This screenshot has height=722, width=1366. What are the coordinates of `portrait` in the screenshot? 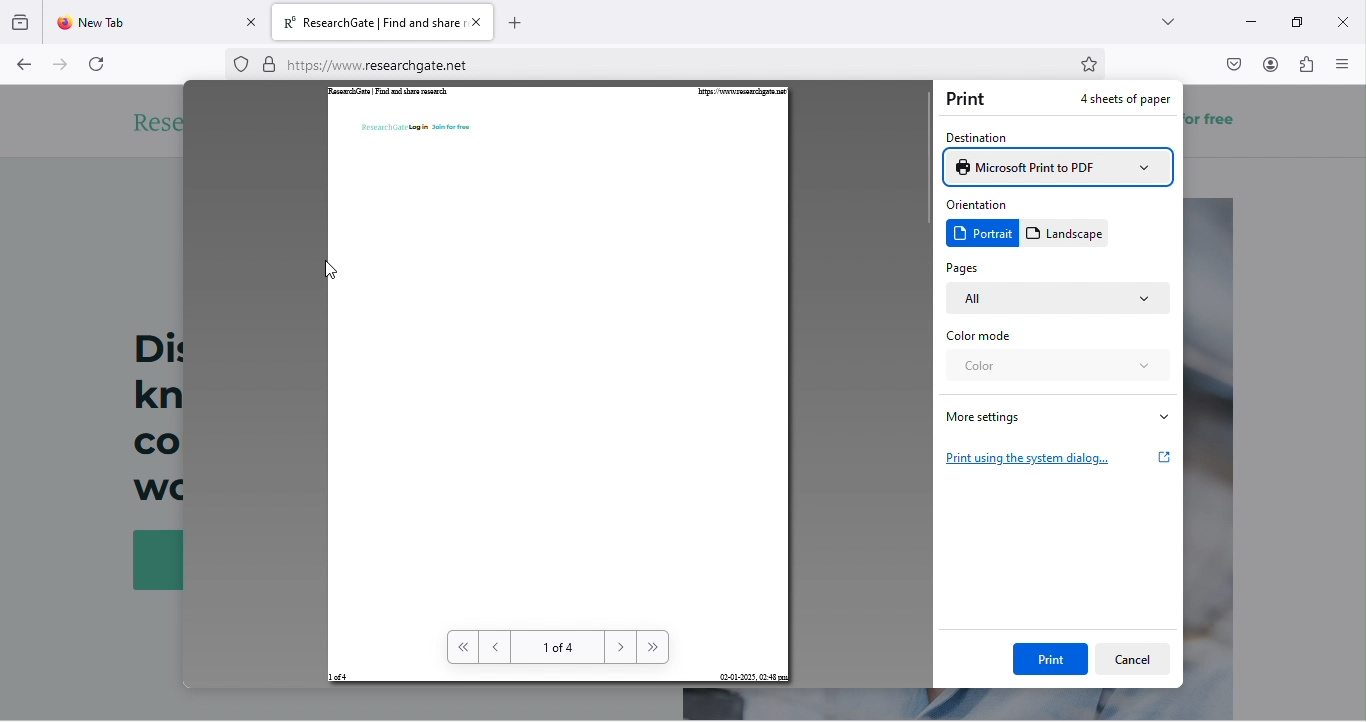 It's located at (981, 235).